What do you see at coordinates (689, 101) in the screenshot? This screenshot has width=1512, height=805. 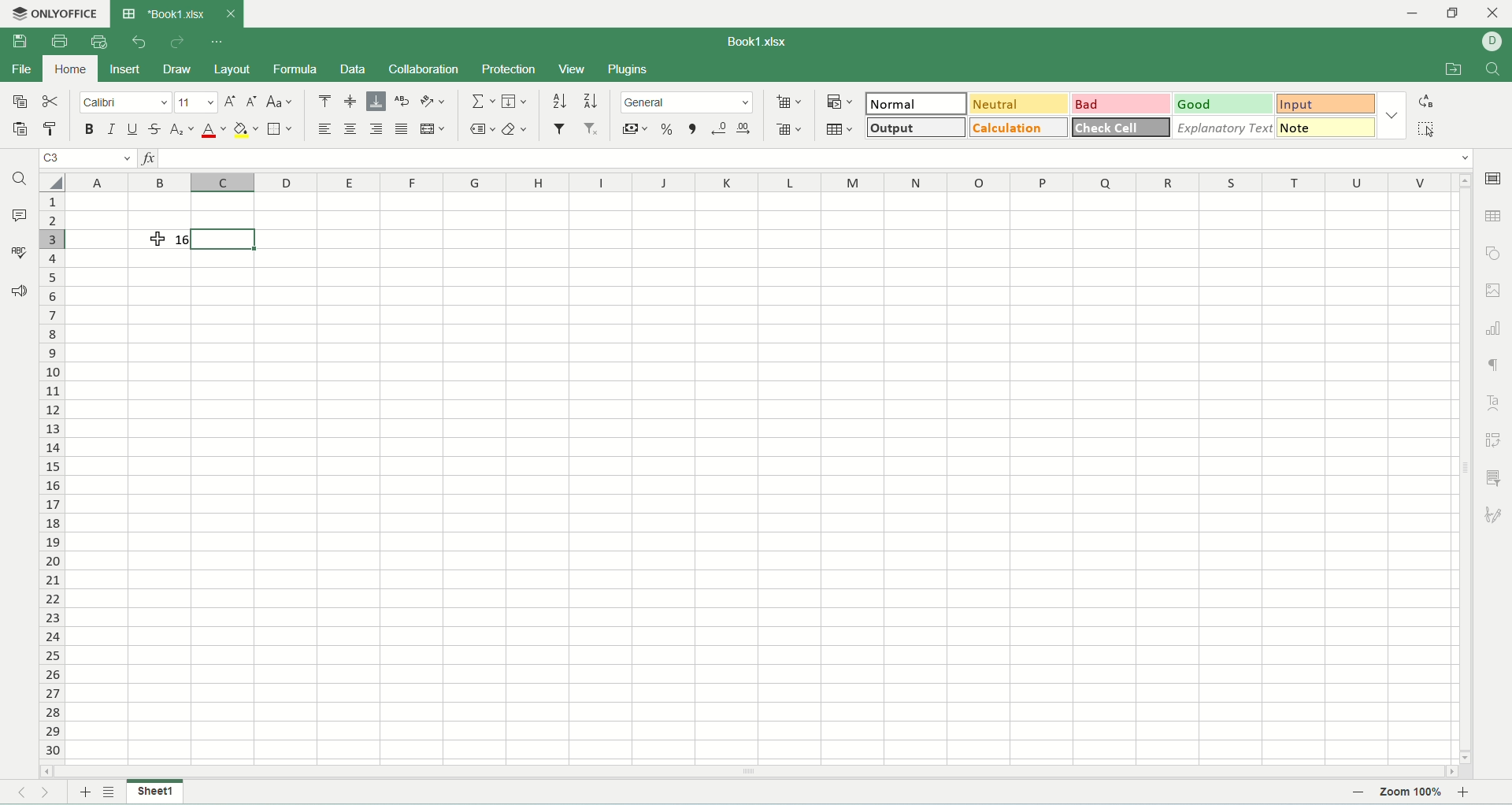 I see `number format` at bounding box center [689, 101].